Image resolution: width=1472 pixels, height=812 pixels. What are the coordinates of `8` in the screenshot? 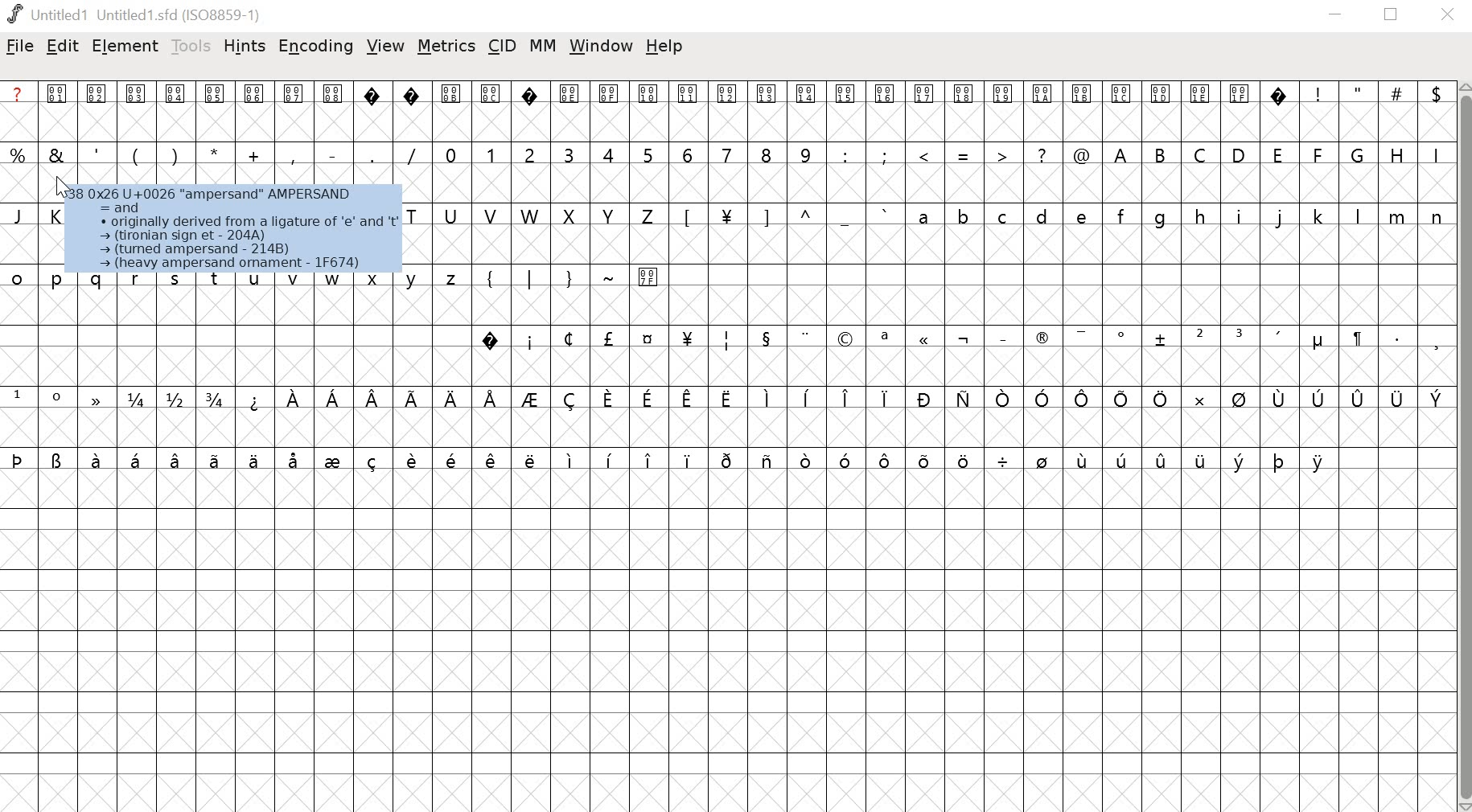 It's located at (767, 153).